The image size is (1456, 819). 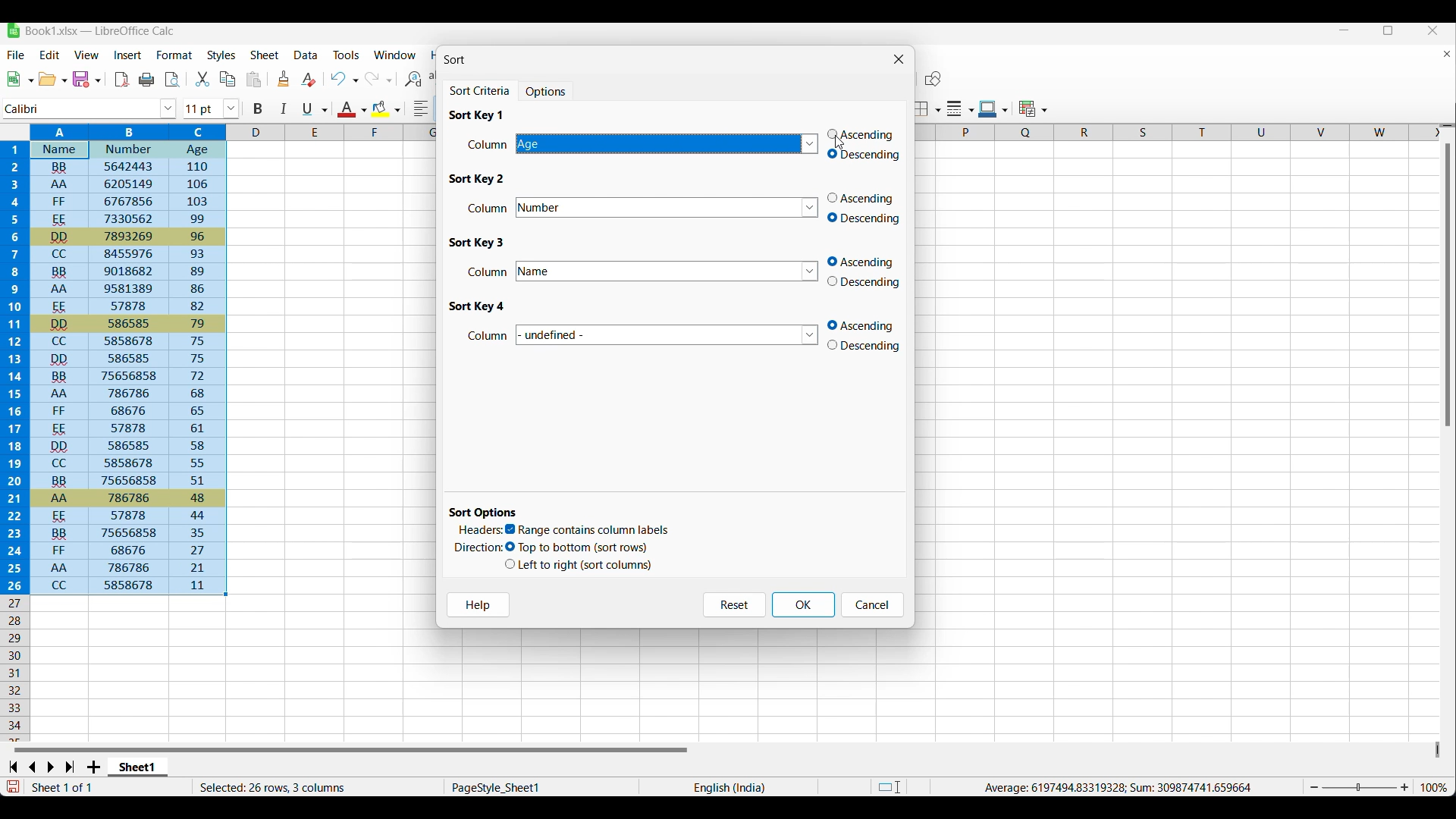 What do you see at coordinates (1116, 787) in the screenshot?
I see `Average and Sum` at bounding box center [1116, 787].